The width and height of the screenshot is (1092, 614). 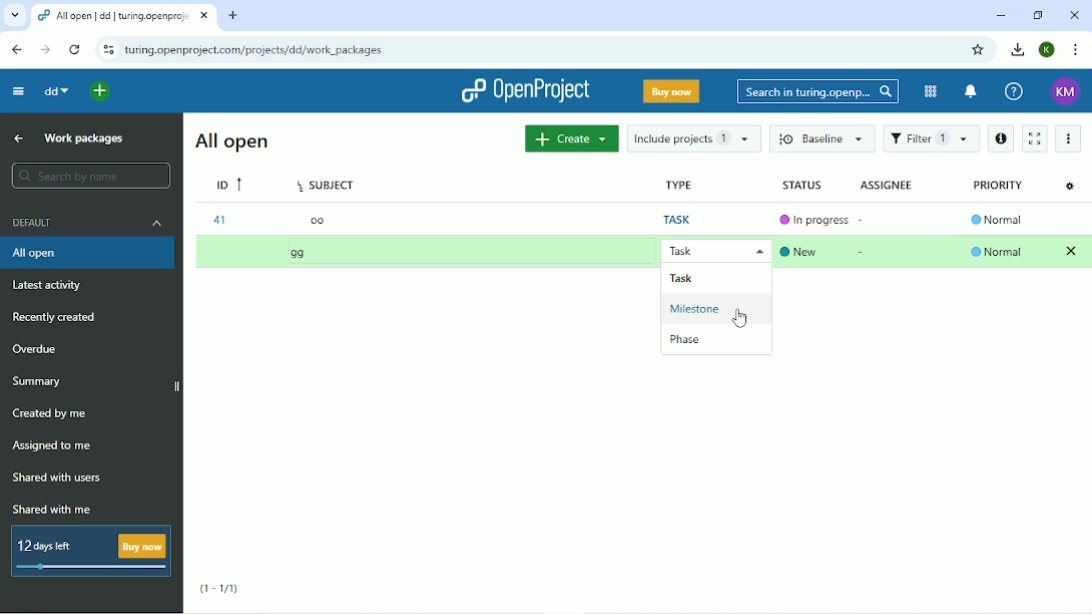 What do you see at coordinates (670, 93) in the screenshot?
I see `Buy now` at bounding box center [670, 93].